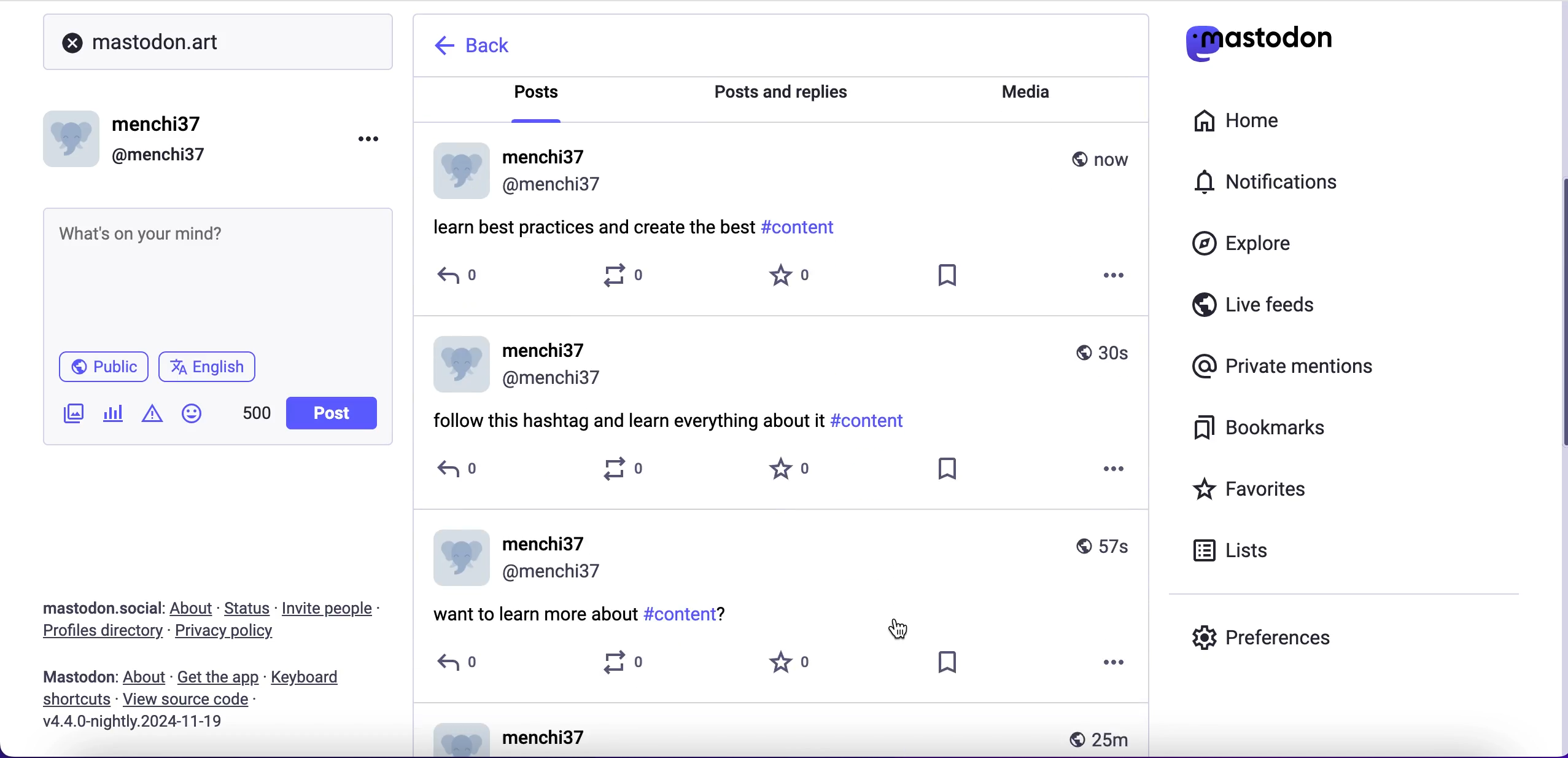  What do you see at coordinates (1278, 367) in the screenshot?
I see `private mentions` at bounding box center [1278, 367].